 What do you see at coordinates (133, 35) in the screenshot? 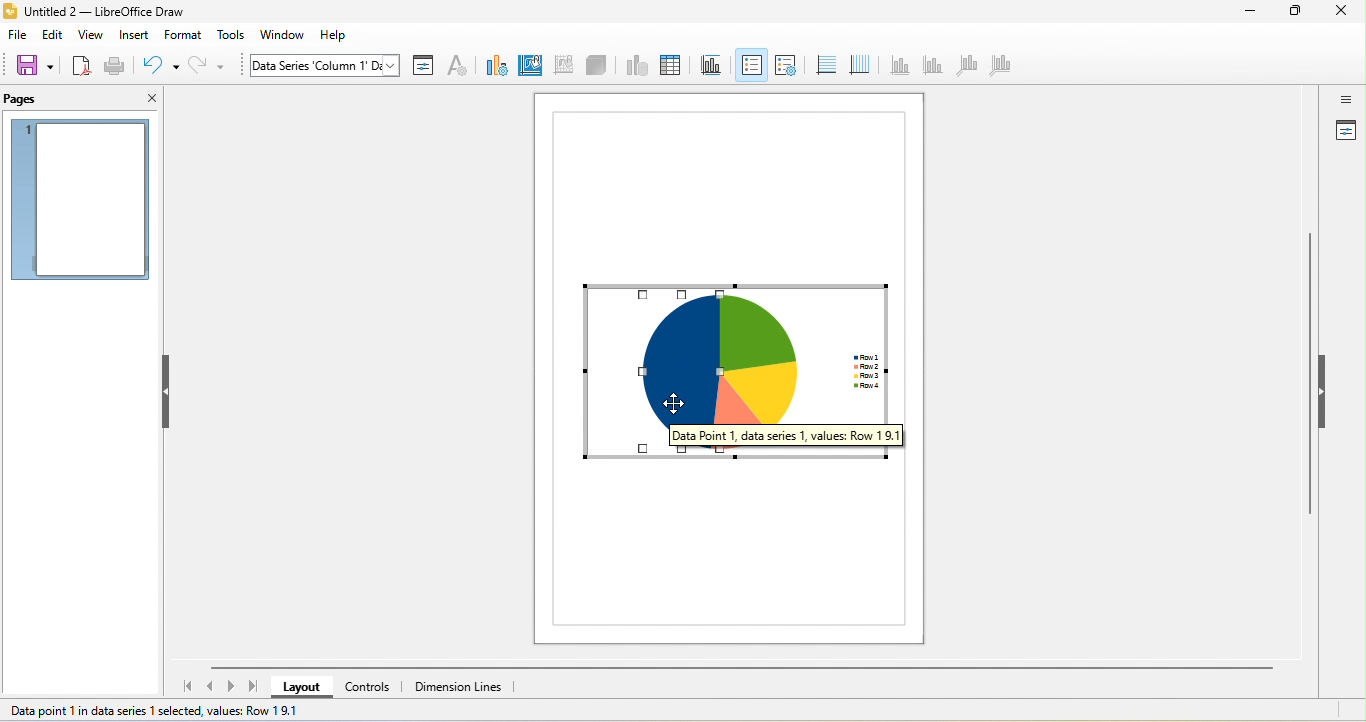
I see `insert` at bounding box center [133, 35].